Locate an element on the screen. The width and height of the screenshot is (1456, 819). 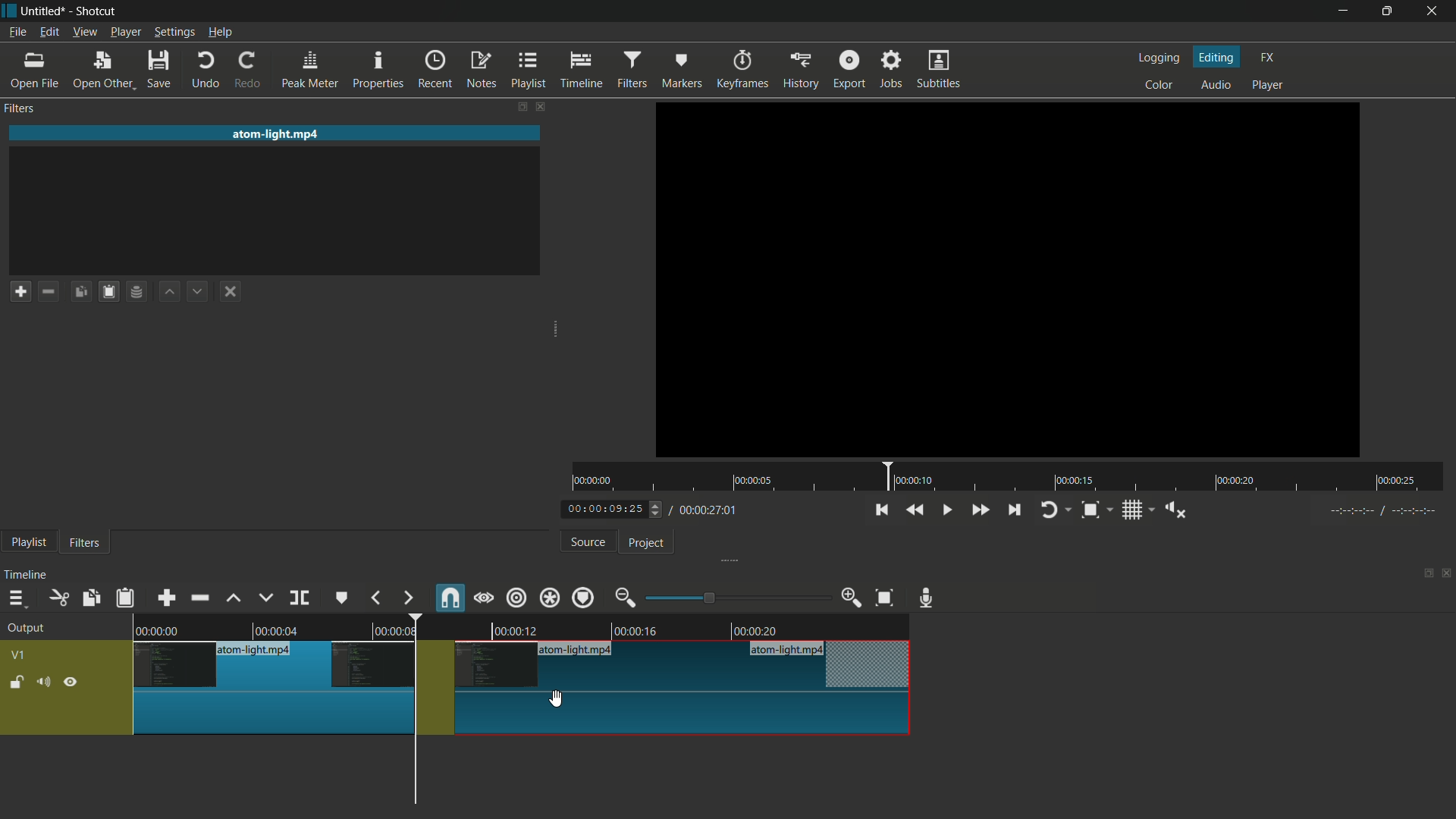
quickly play backward is located at coordinates (916, 510).